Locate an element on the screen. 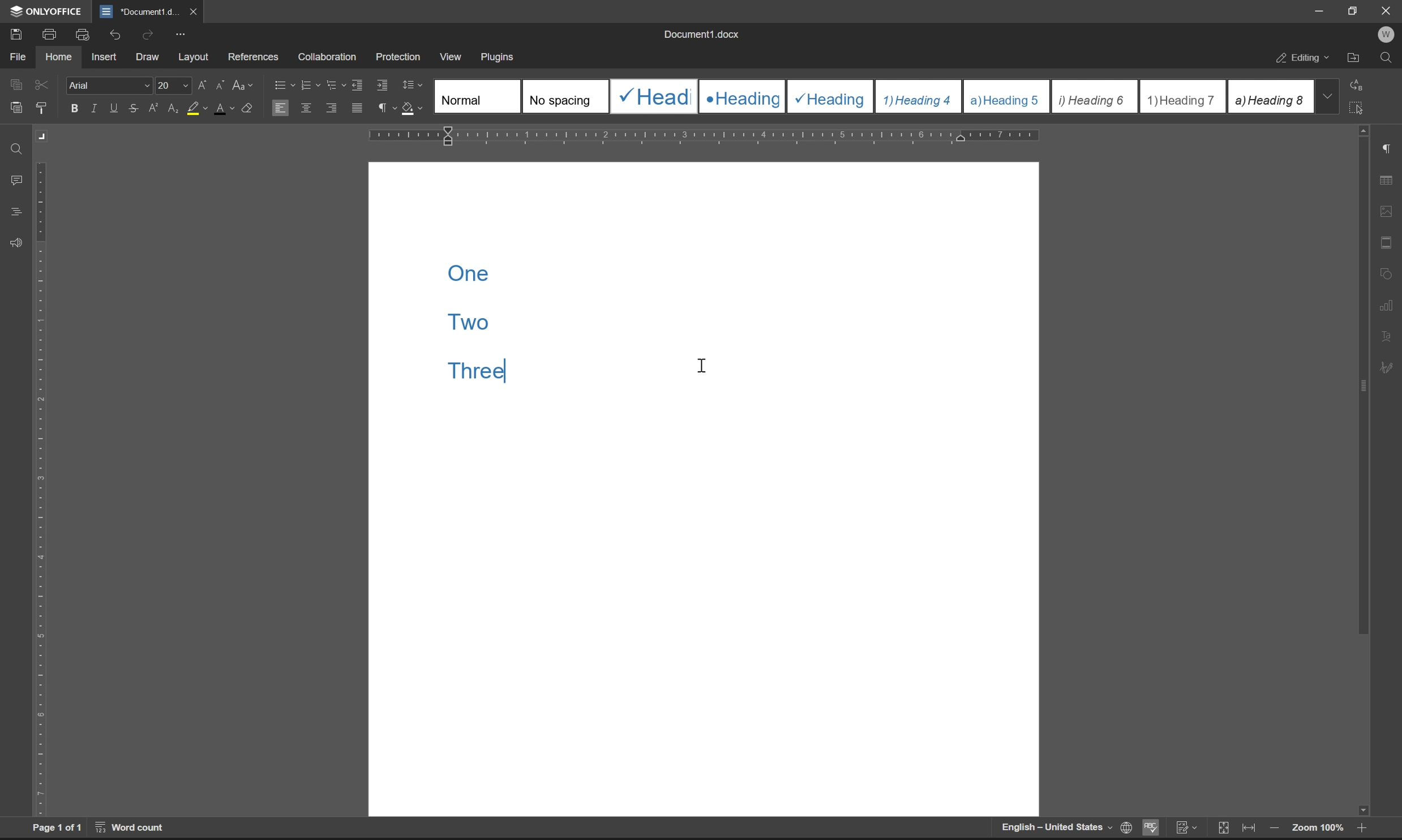  track changes is located at coordinates (1186, 828).